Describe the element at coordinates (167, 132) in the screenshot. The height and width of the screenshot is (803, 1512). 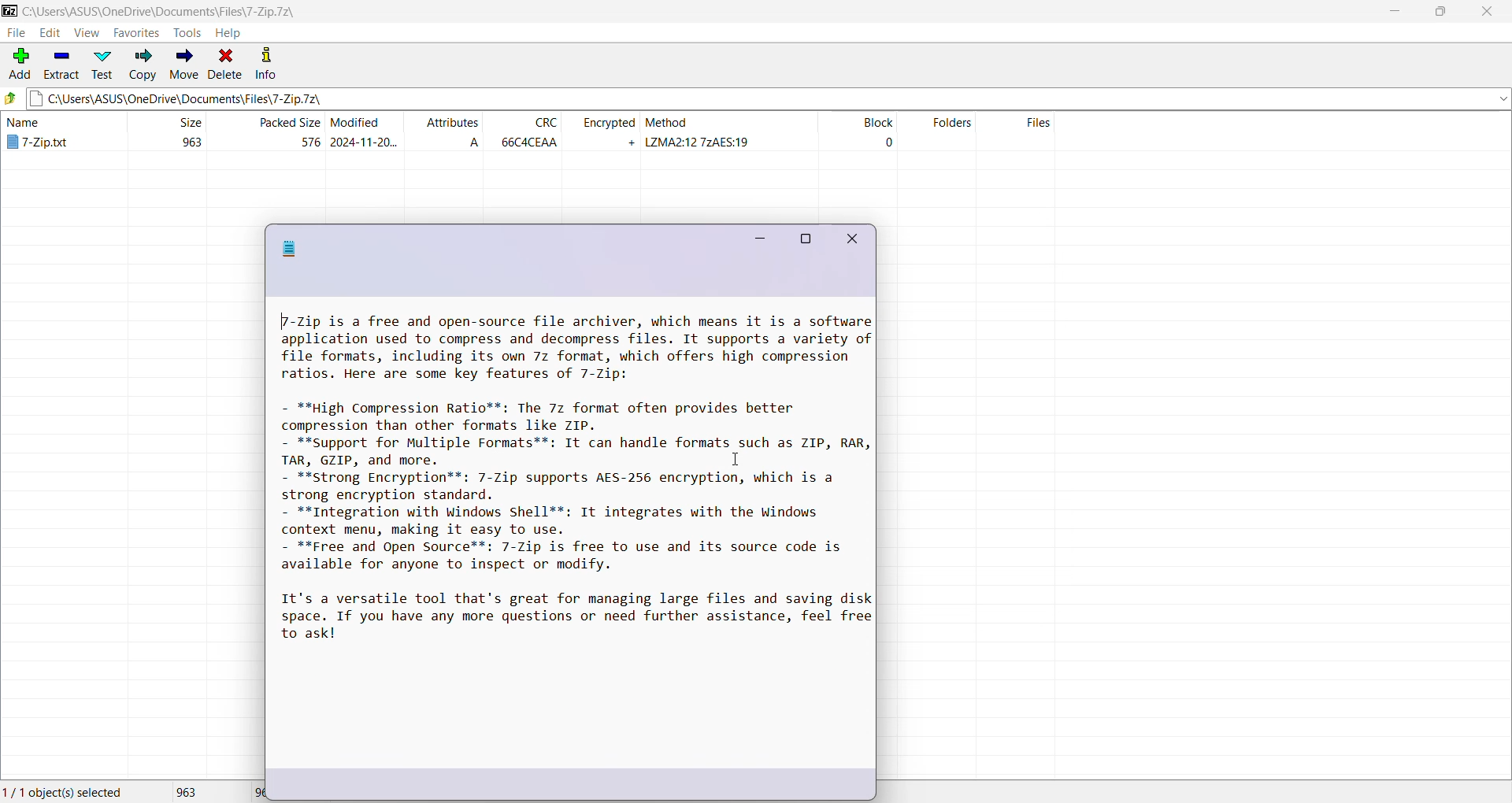
I see `File Size` at that location.